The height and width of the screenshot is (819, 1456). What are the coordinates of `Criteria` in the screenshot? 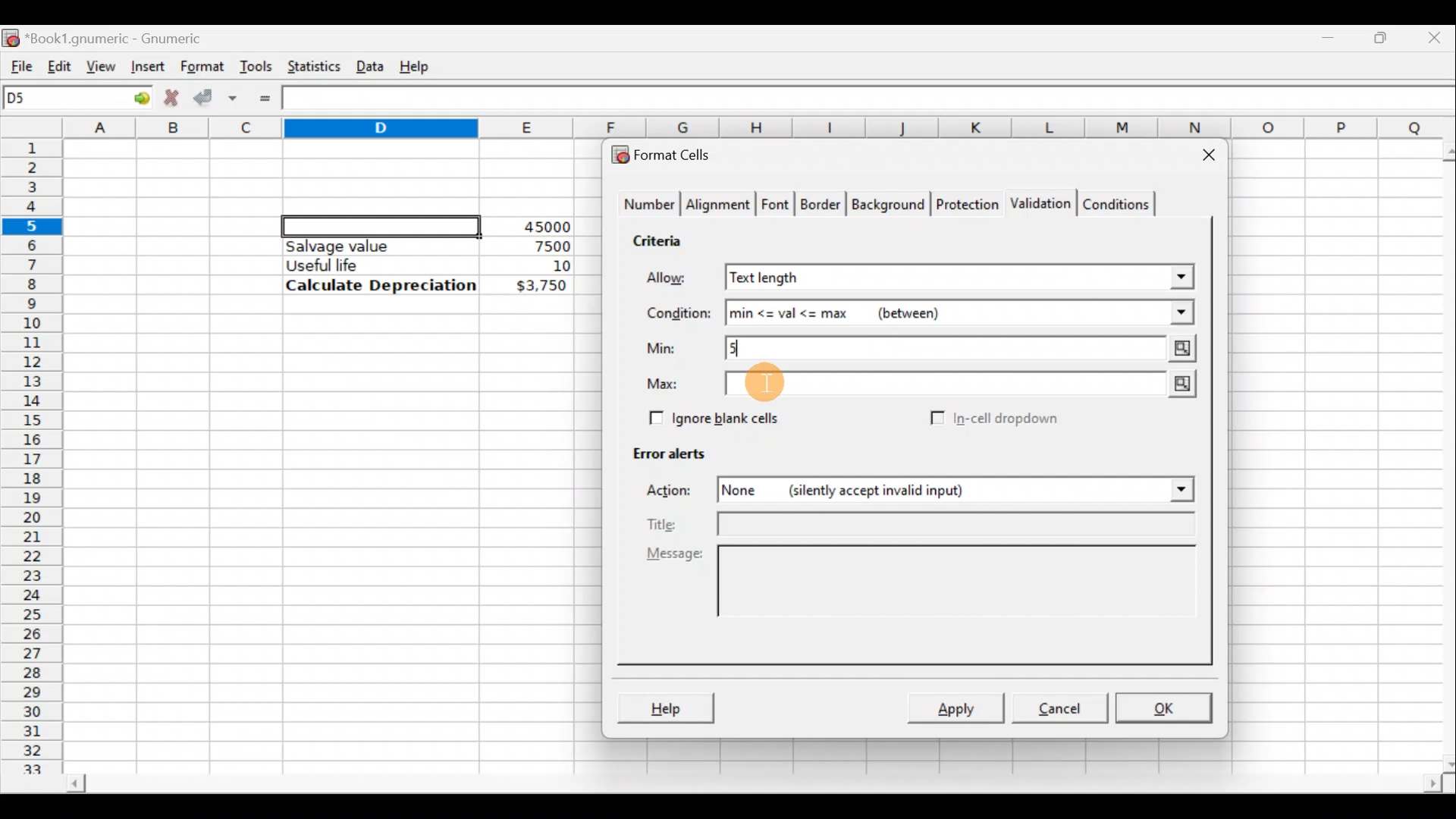 It's located at (663, 238).